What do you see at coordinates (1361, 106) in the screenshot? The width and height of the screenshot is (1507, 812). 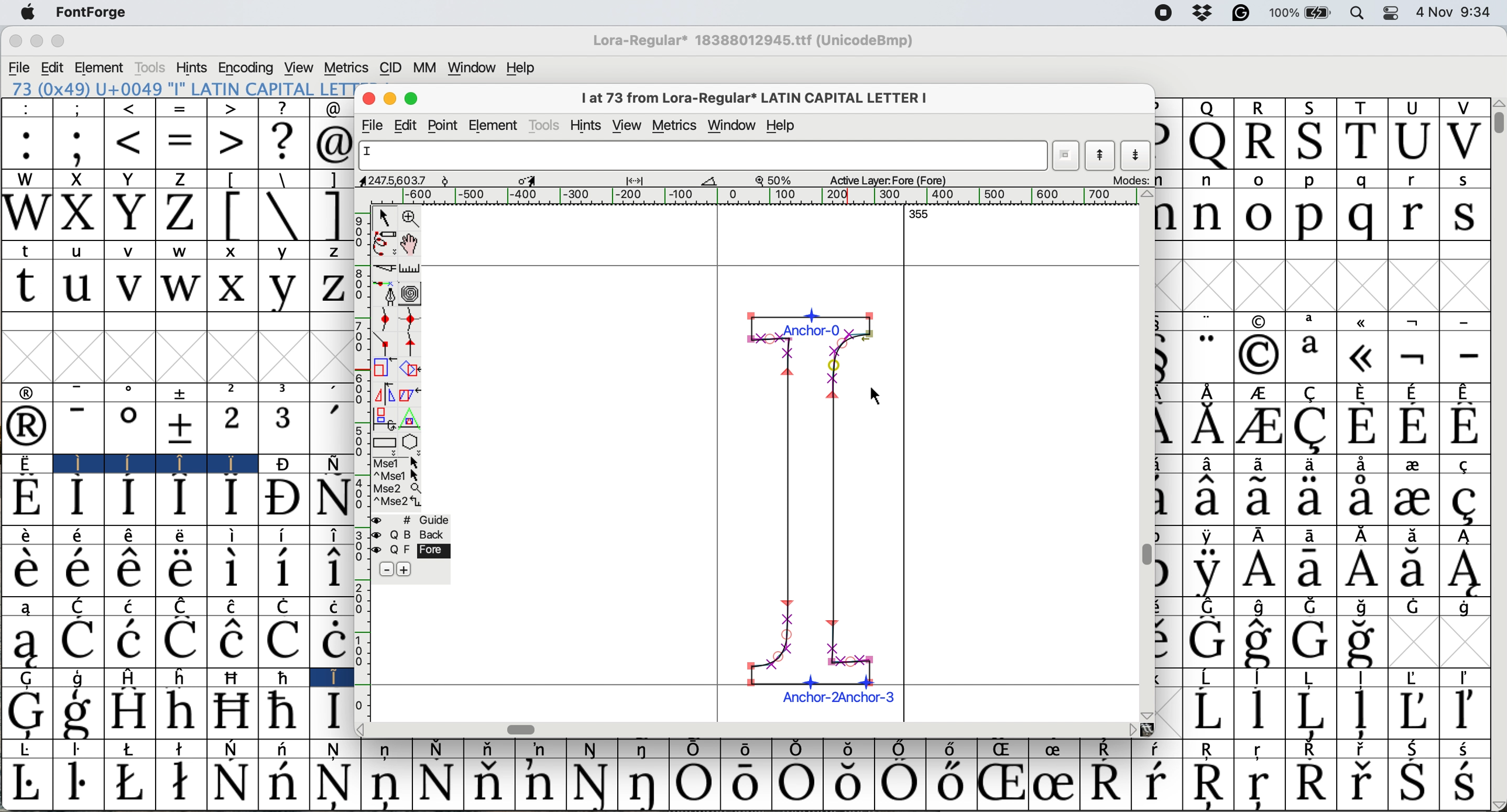 I see `T` at bounding box center [1361, 106].